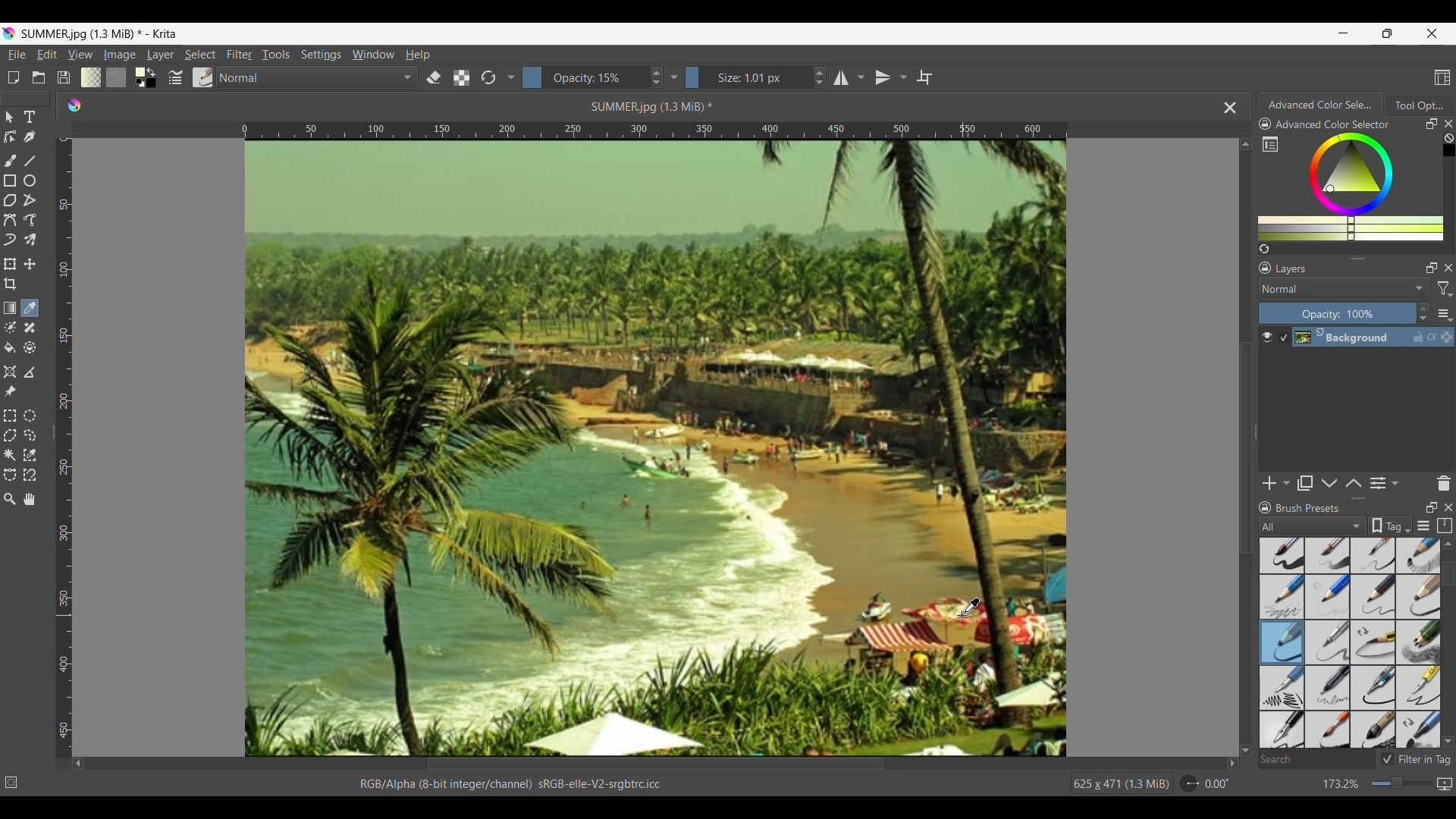 This screenshot has height=819, width=1456. What do you see at coordinates (80, 55) in the screenshot?
I see `View menu` at bounding box center [80, 55].